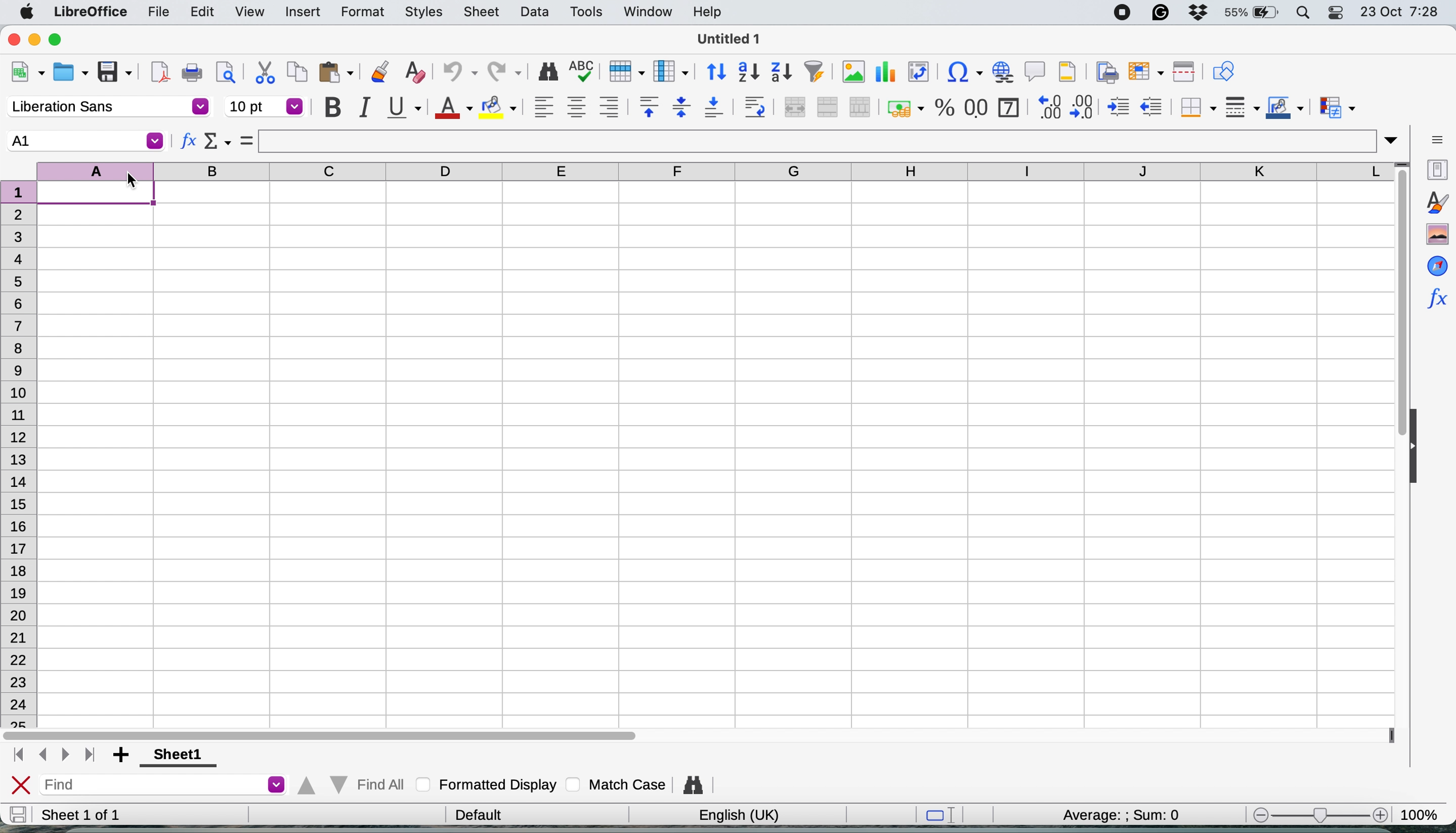  What do you see at coordinates (822, 141) in the screenshot?
I see `formula bar` at bounding box center [822, 141].